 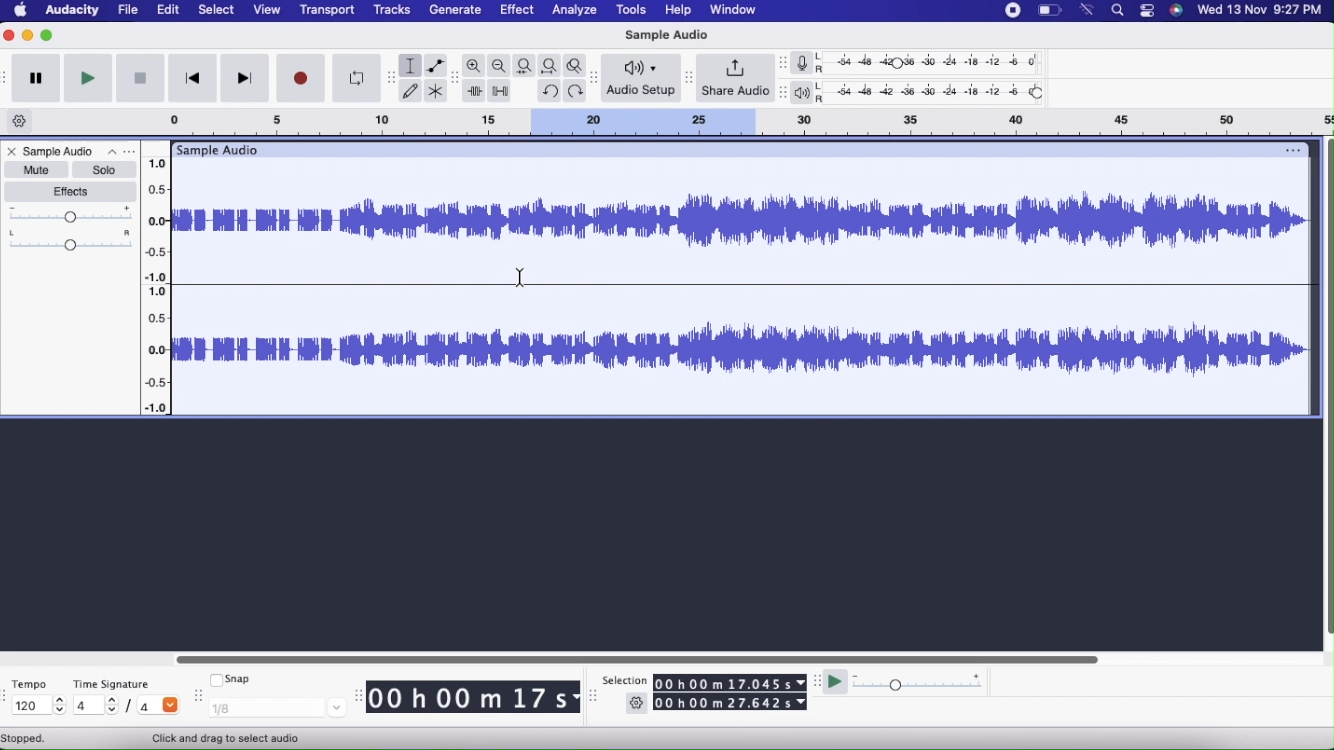 What do you see at coordinates (8, 696) in the screenshot?
I see `move toolbar` at bounding box center [8, 696].